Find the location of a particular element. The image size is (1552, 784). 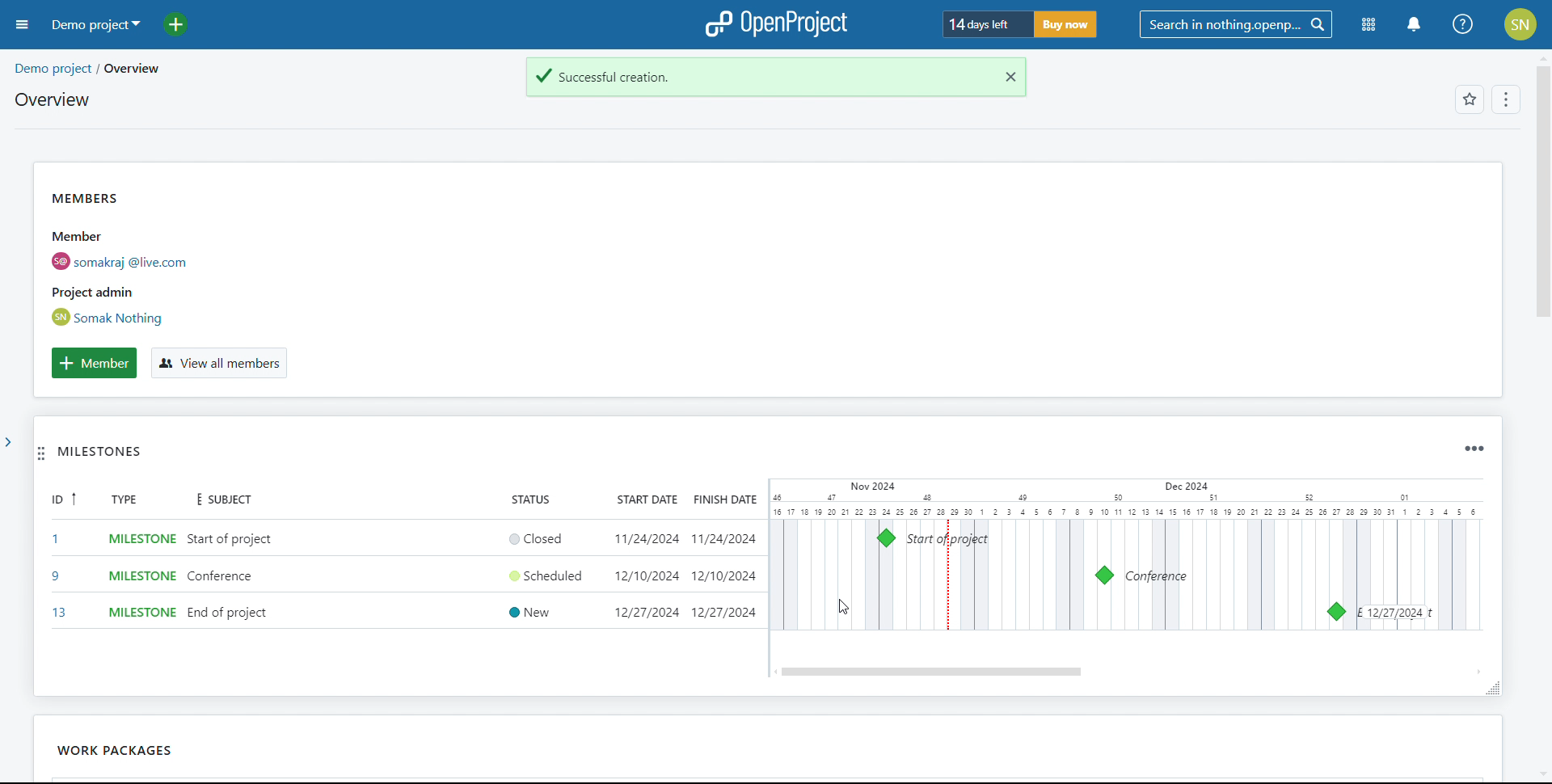

add project is located at coordinates (185, 24).